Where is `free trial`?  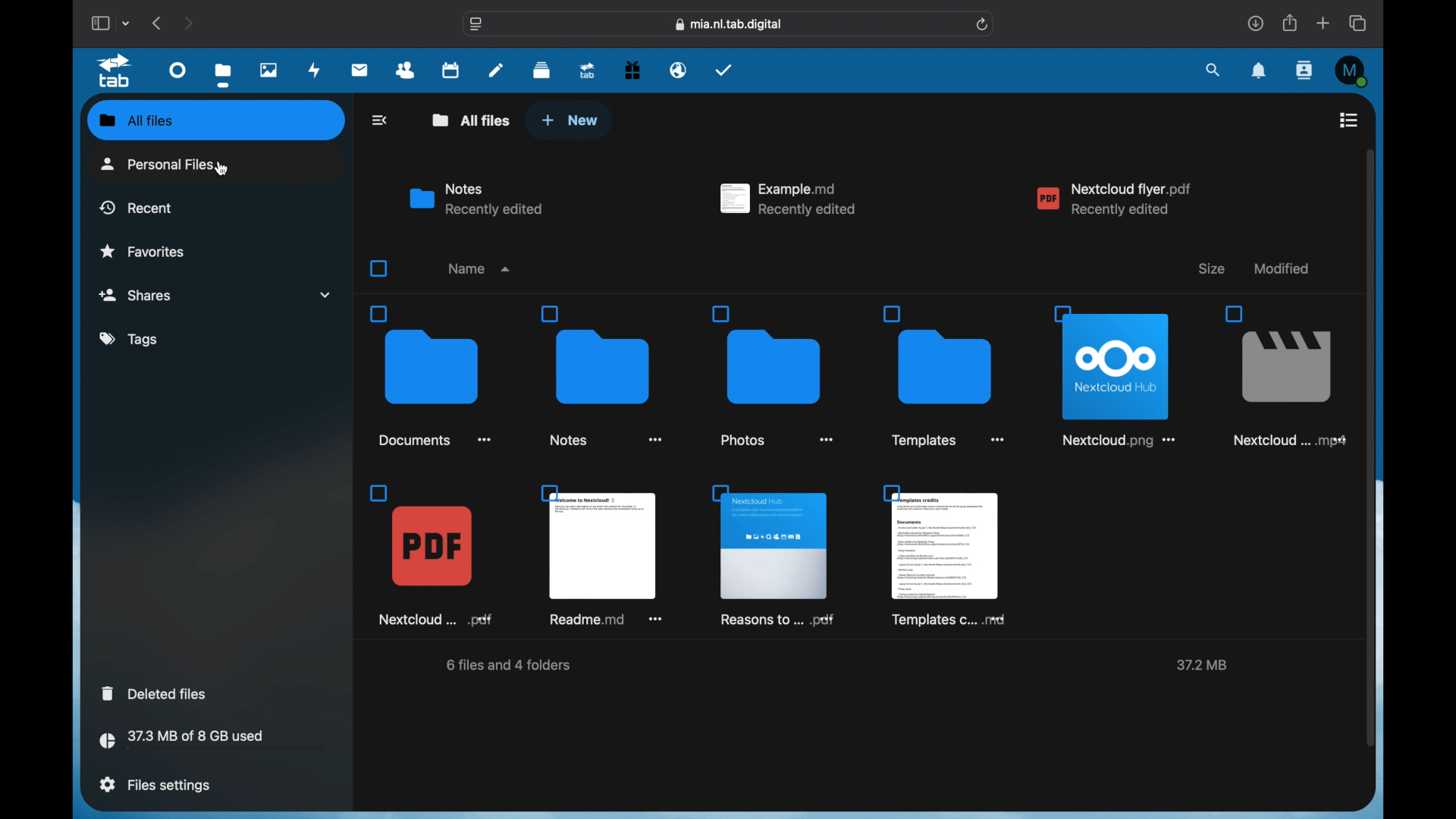
free trial is located at coordinates (632, 71).